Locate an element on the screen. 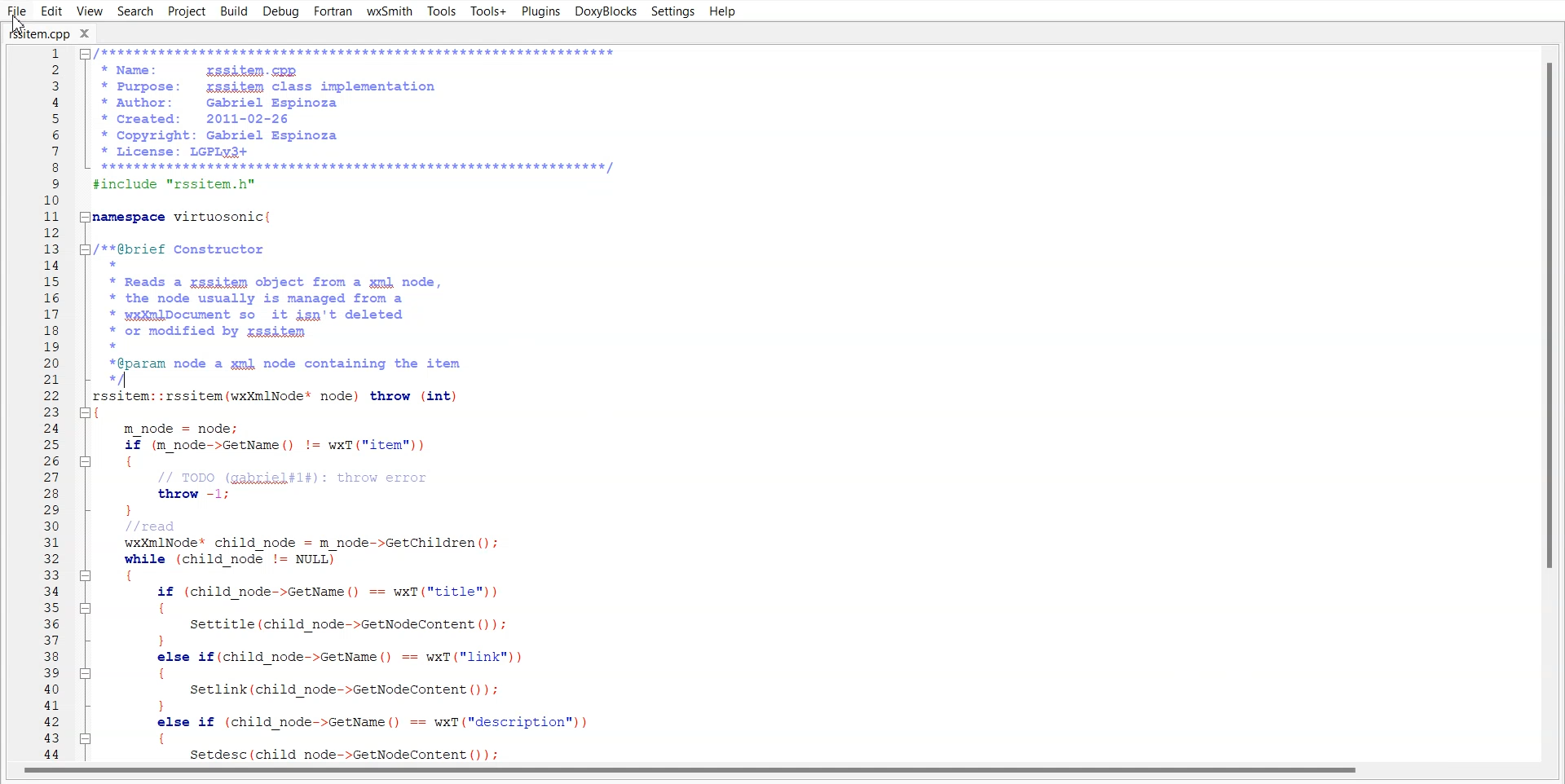  Search is located at coordinates (135, 11).